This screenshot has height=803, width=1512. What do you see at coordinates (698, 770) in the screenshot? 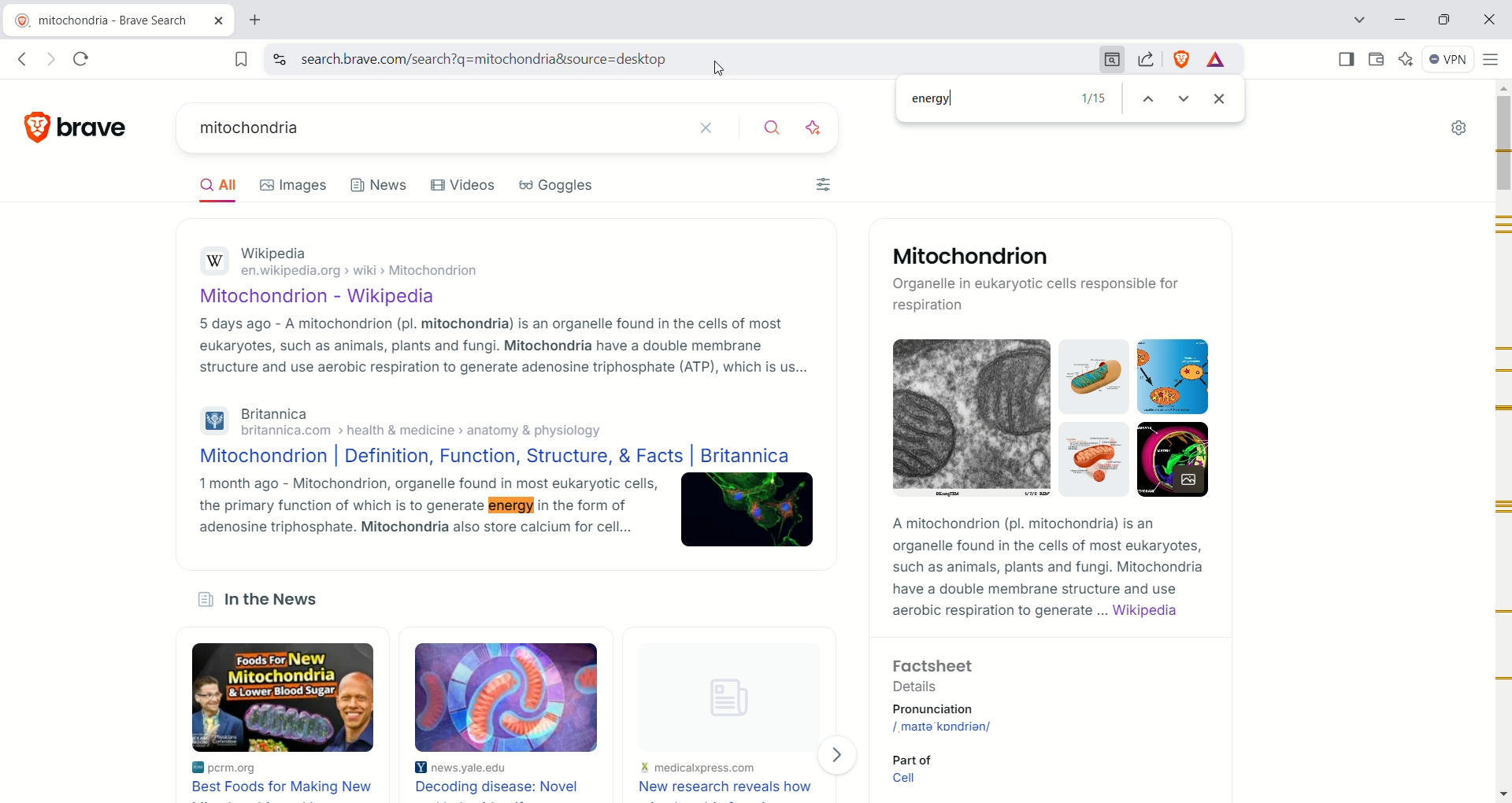
I see `medicalpress.com` at bounding box center [698, 770].